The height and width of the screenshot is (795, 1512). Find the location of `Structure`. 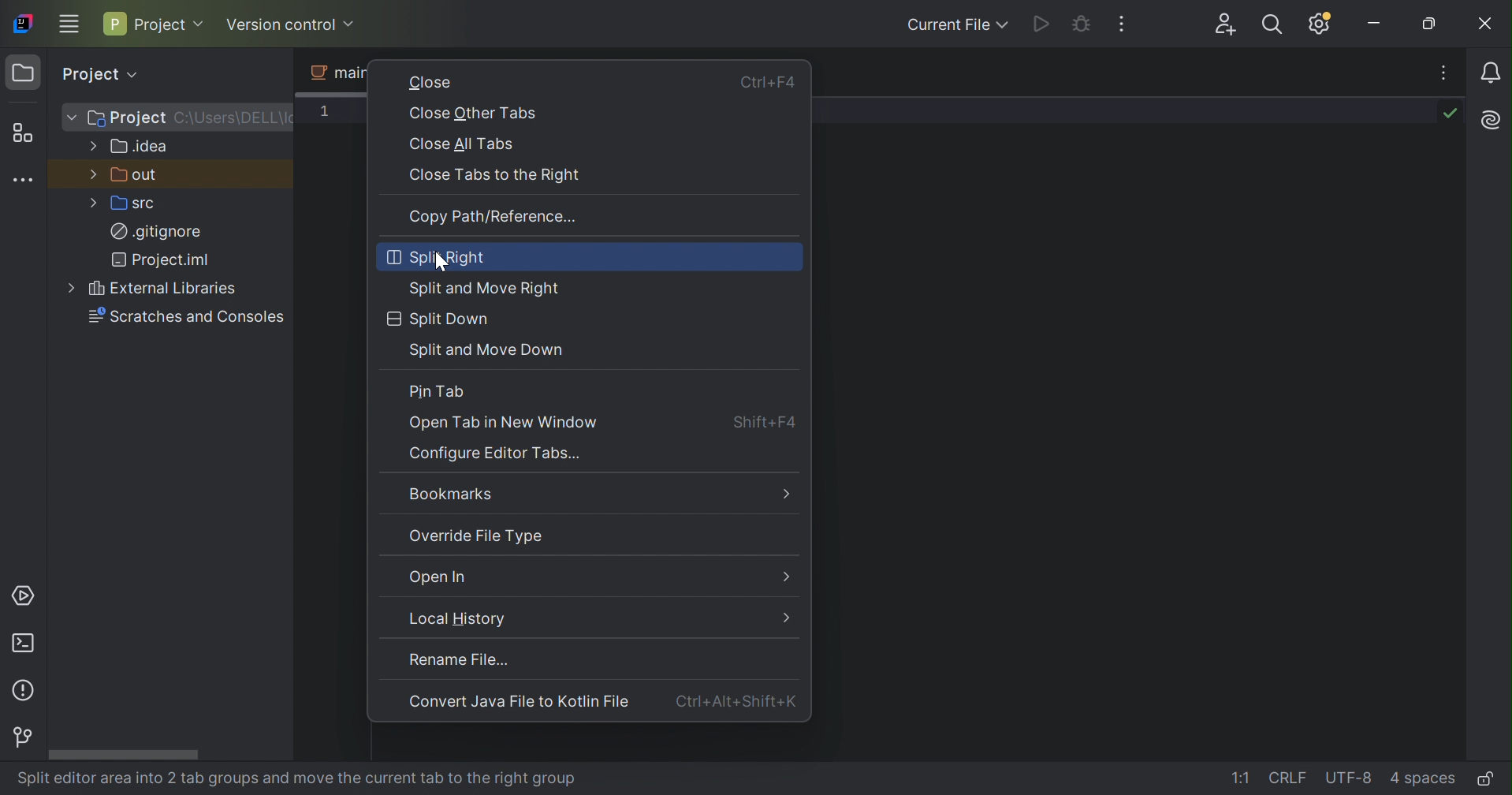

Structure is located at coordinates (22, 136).